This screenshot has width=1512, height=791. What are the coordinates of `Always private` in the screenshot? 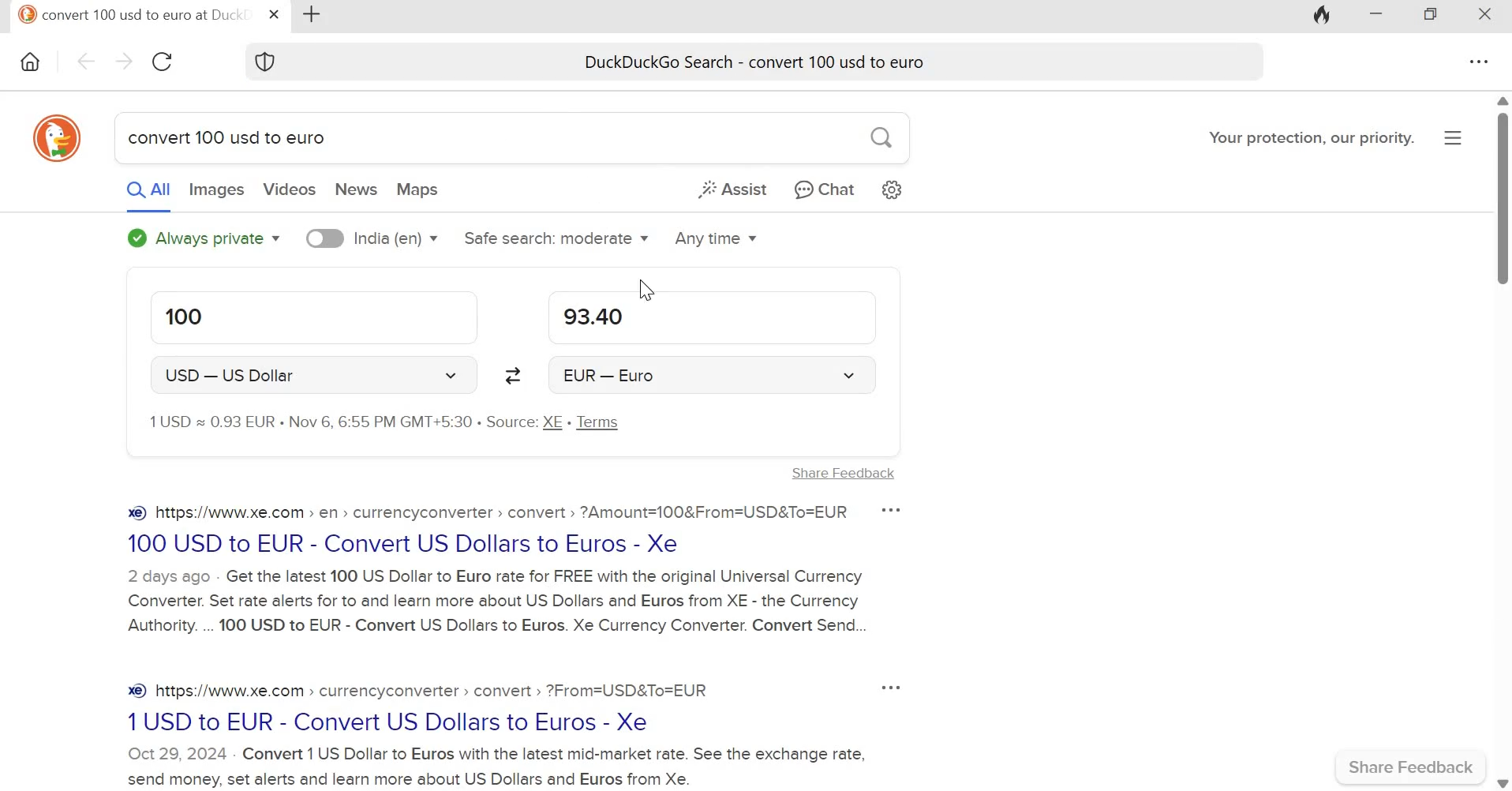 It's located at (204, 236).